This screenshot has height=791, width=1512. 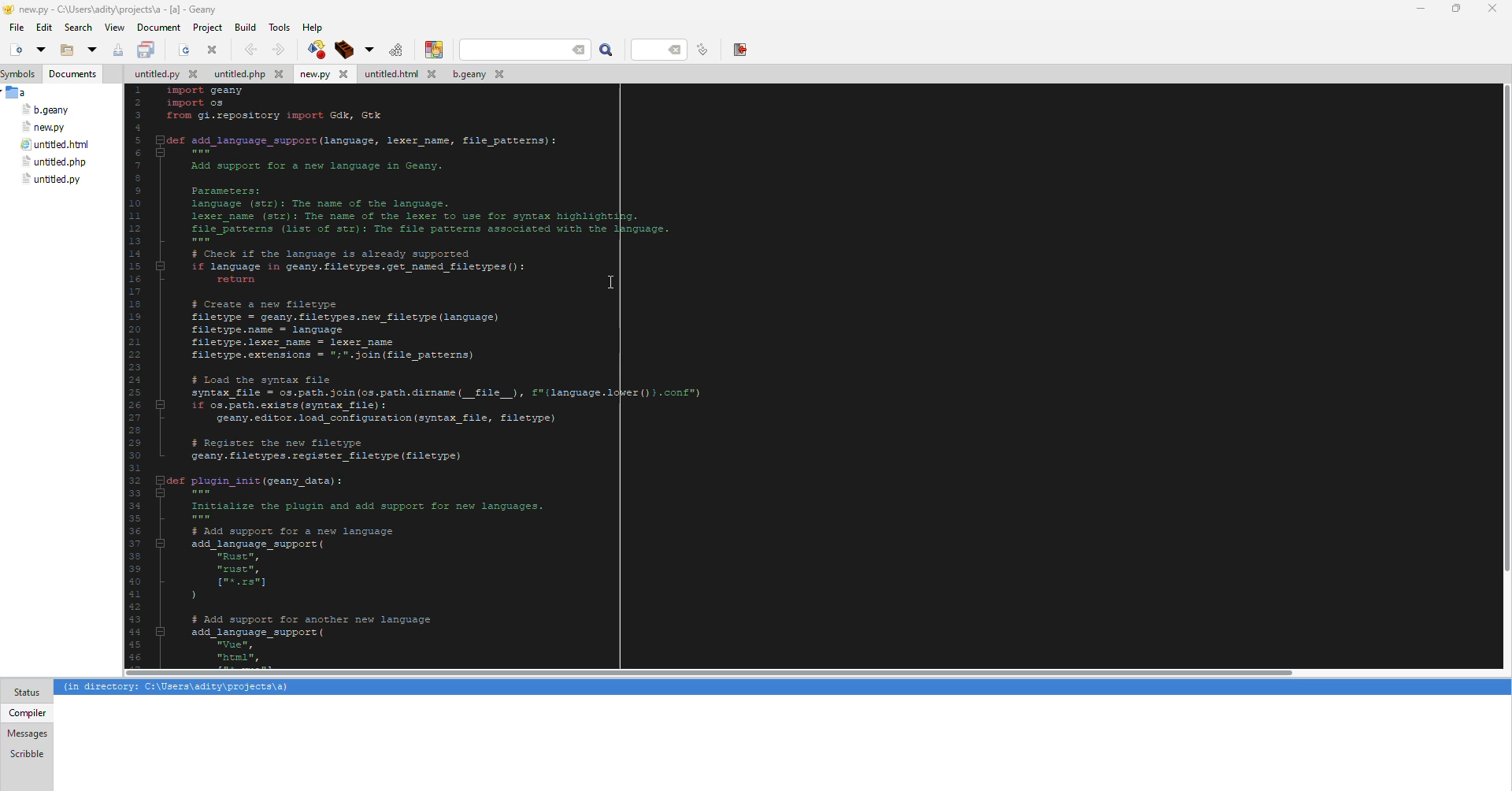 What do you see at coordinates (73, 74) in the screenshot?
I see `document` at bounding box center [73, 74].